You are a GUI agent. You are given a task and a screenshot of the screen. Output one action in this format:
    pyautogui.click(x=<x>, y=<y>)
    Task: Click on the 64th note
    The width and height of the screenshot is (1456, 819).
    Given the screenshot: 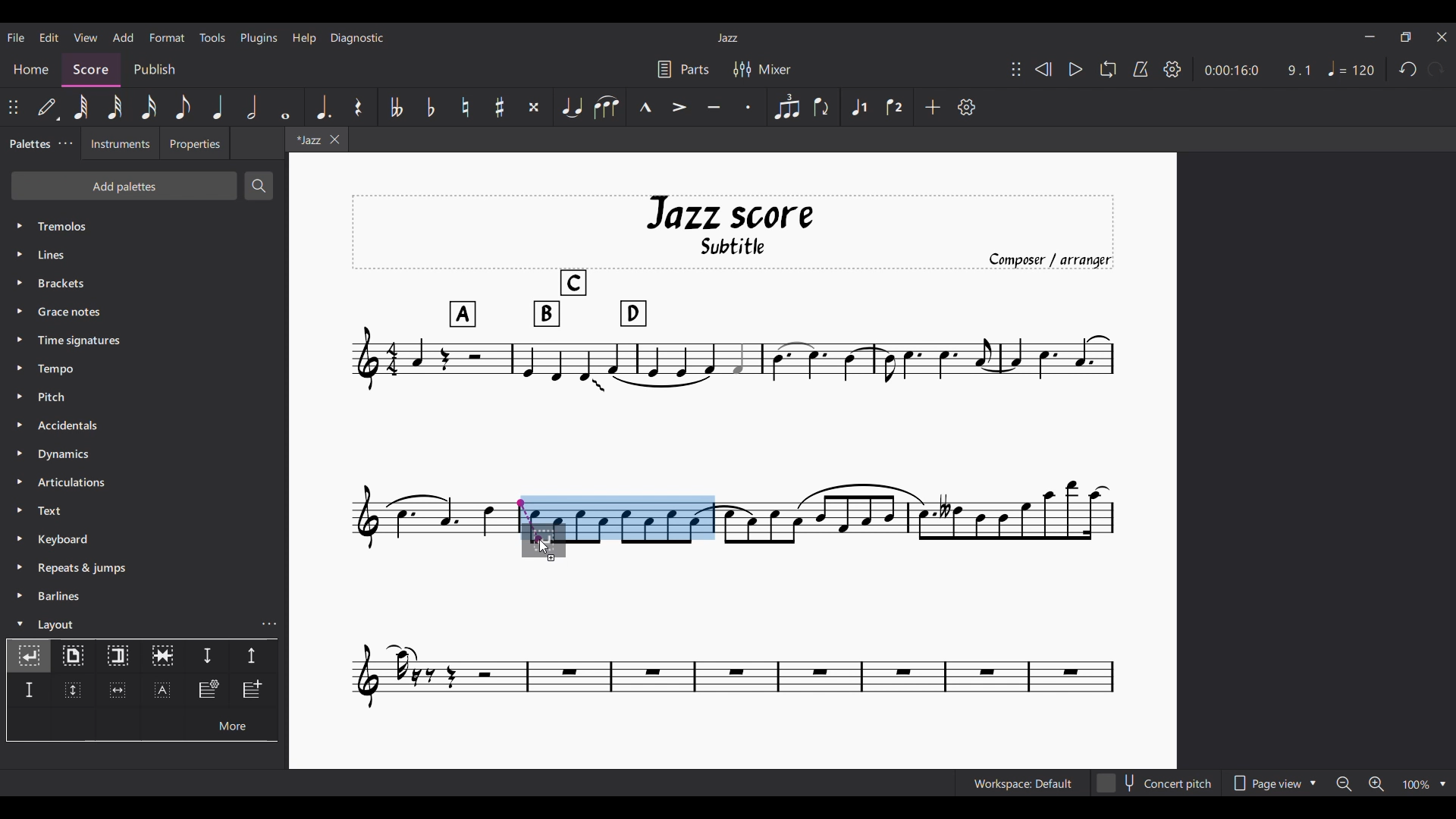 What is the action you would take?
    pyautogui.click(x=83, y=108)
    